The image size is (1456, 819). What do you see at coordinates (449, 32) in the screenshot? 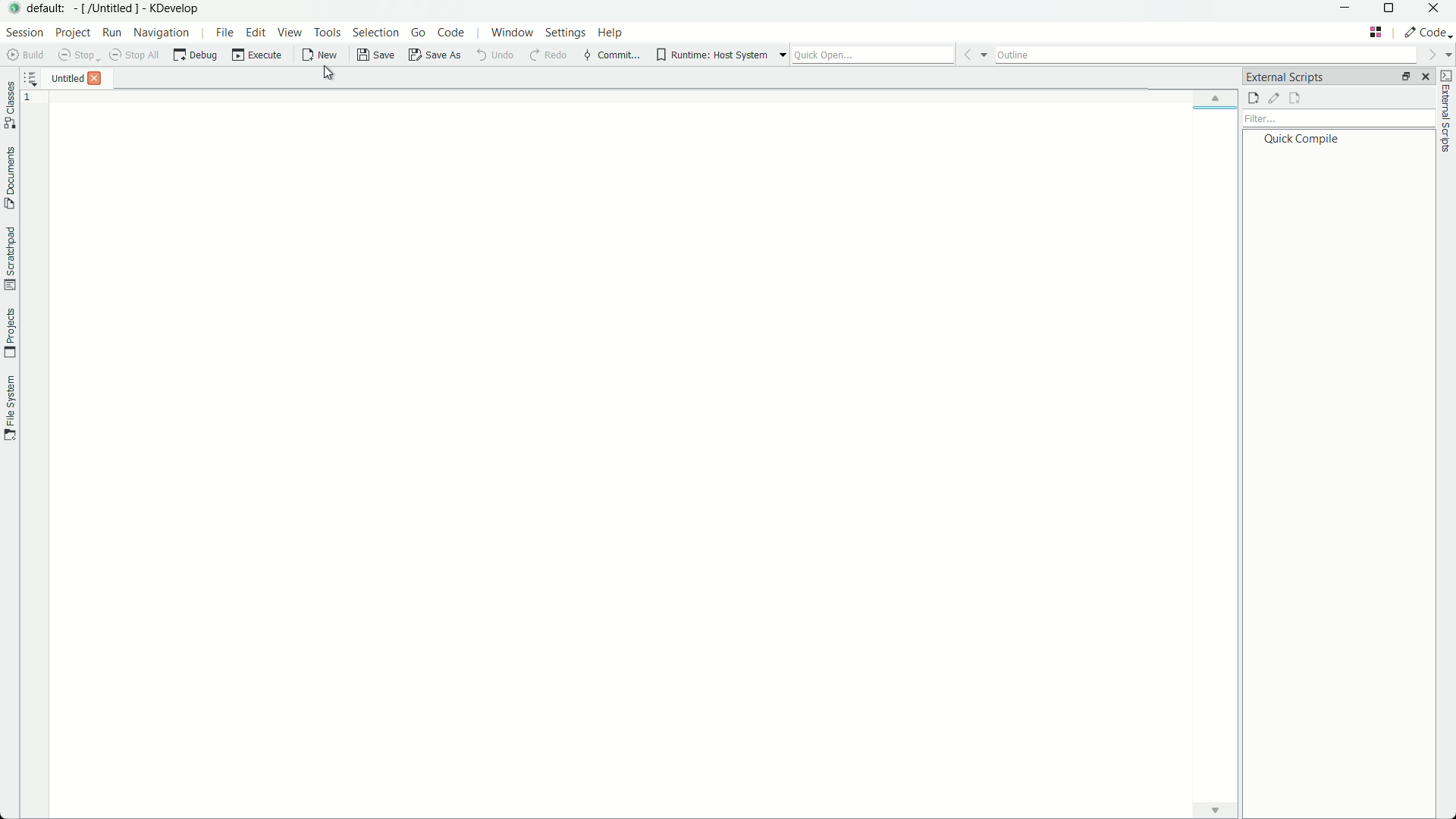
I see `code menu` at bounding box center [449, 32].